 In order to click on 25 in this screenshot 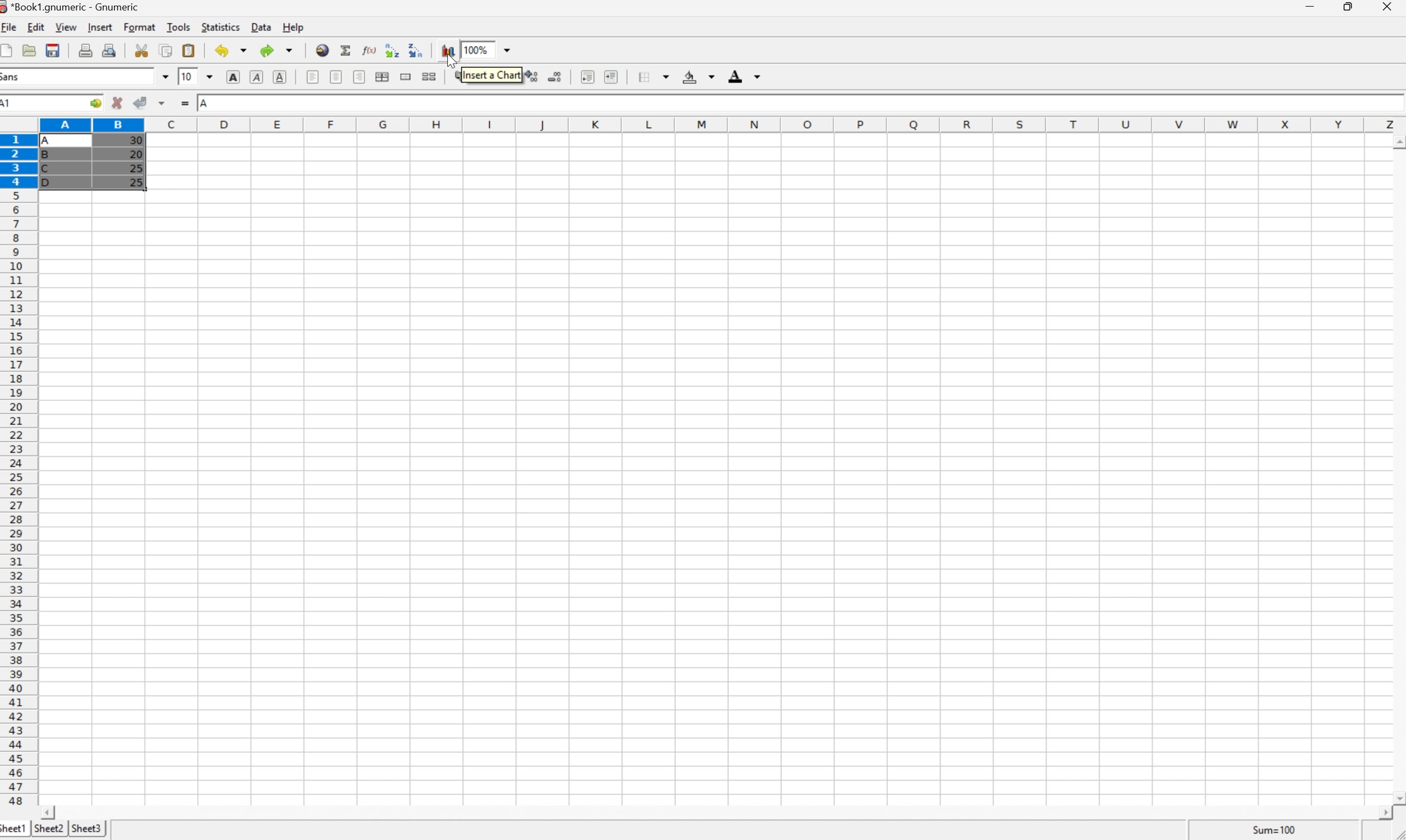, I will do `click(138, 182)`.